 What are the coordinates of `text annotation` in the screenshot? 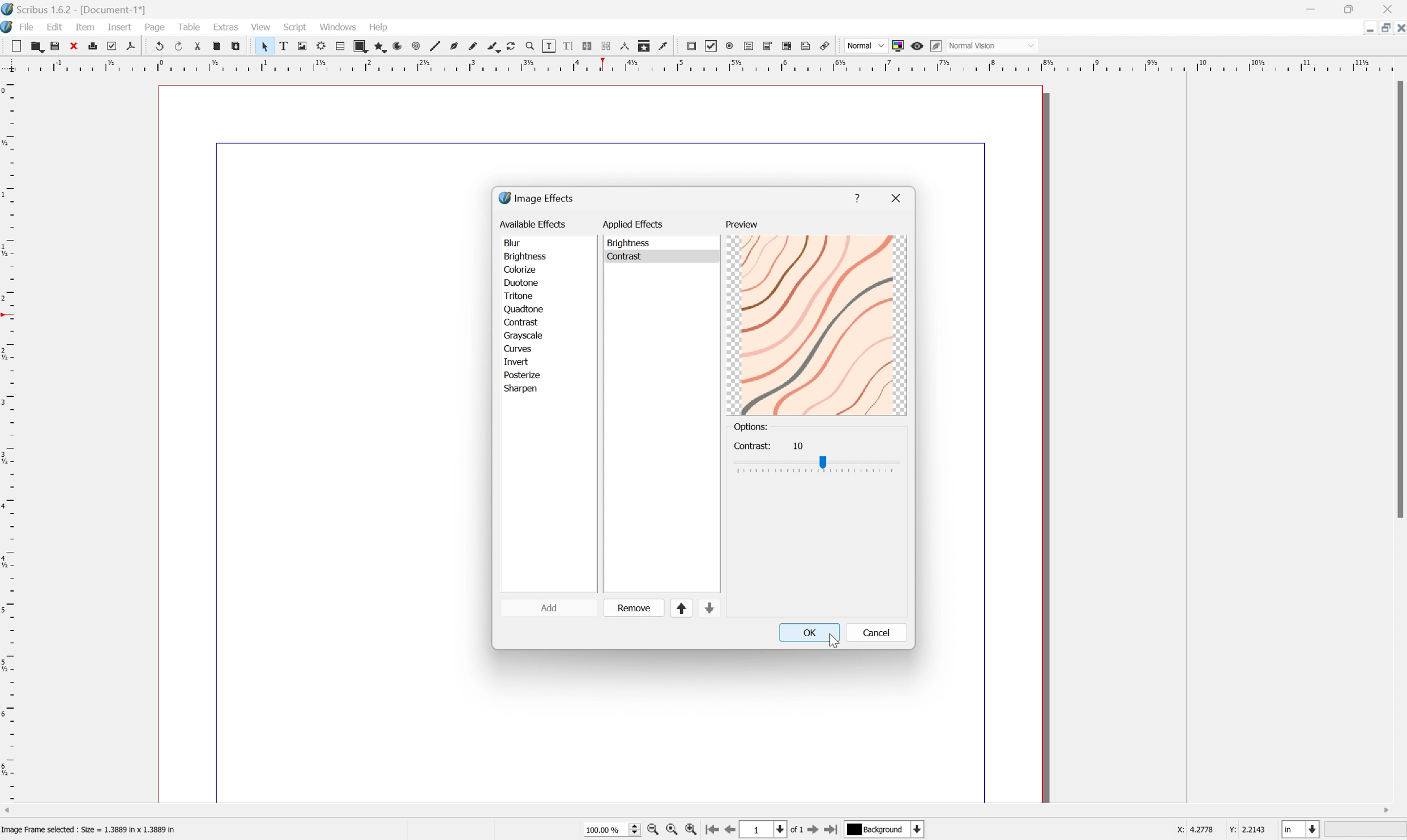 It's located at (807, 46).